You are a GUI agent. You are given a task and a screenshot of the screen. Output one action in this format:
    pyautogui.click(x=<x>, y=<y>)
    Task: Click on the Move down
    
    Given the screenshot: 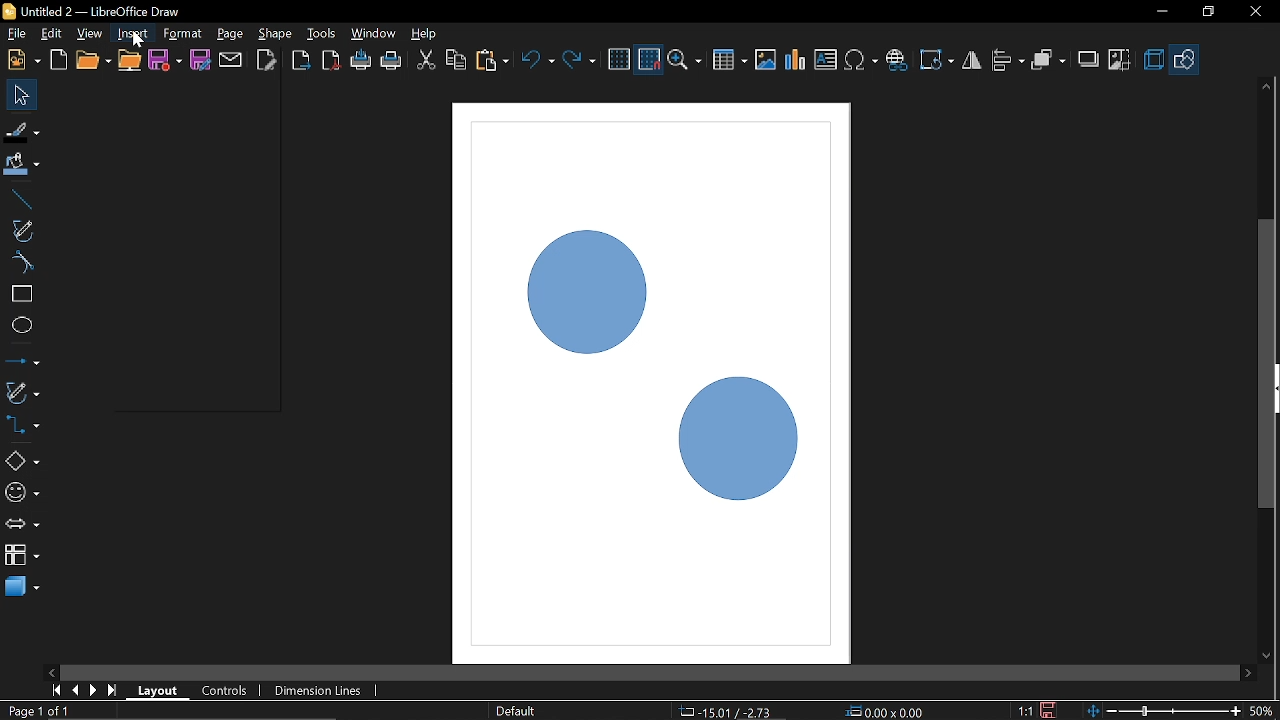 What is the action you would take?
    pyautogui.click(x=1267, y=657)
    